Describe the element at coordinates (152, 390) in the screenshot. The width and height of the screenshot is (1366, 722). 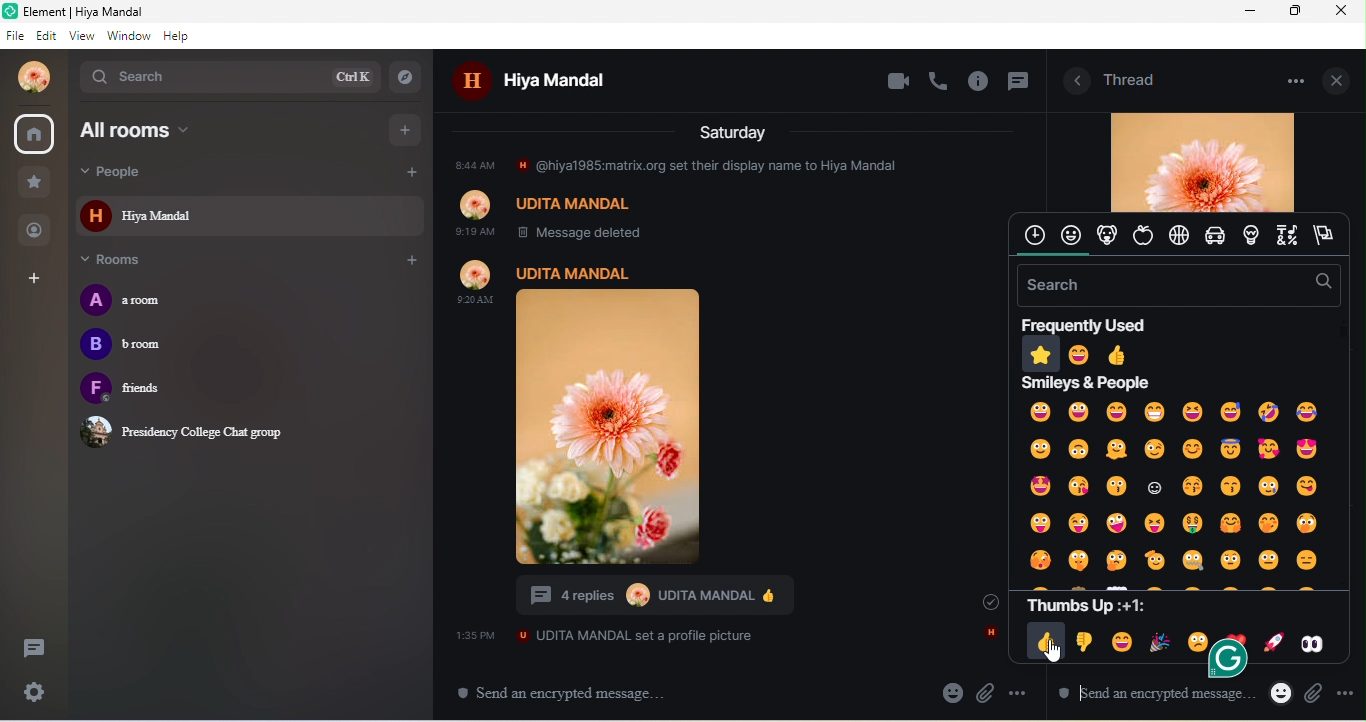
I see `friends` at that location.